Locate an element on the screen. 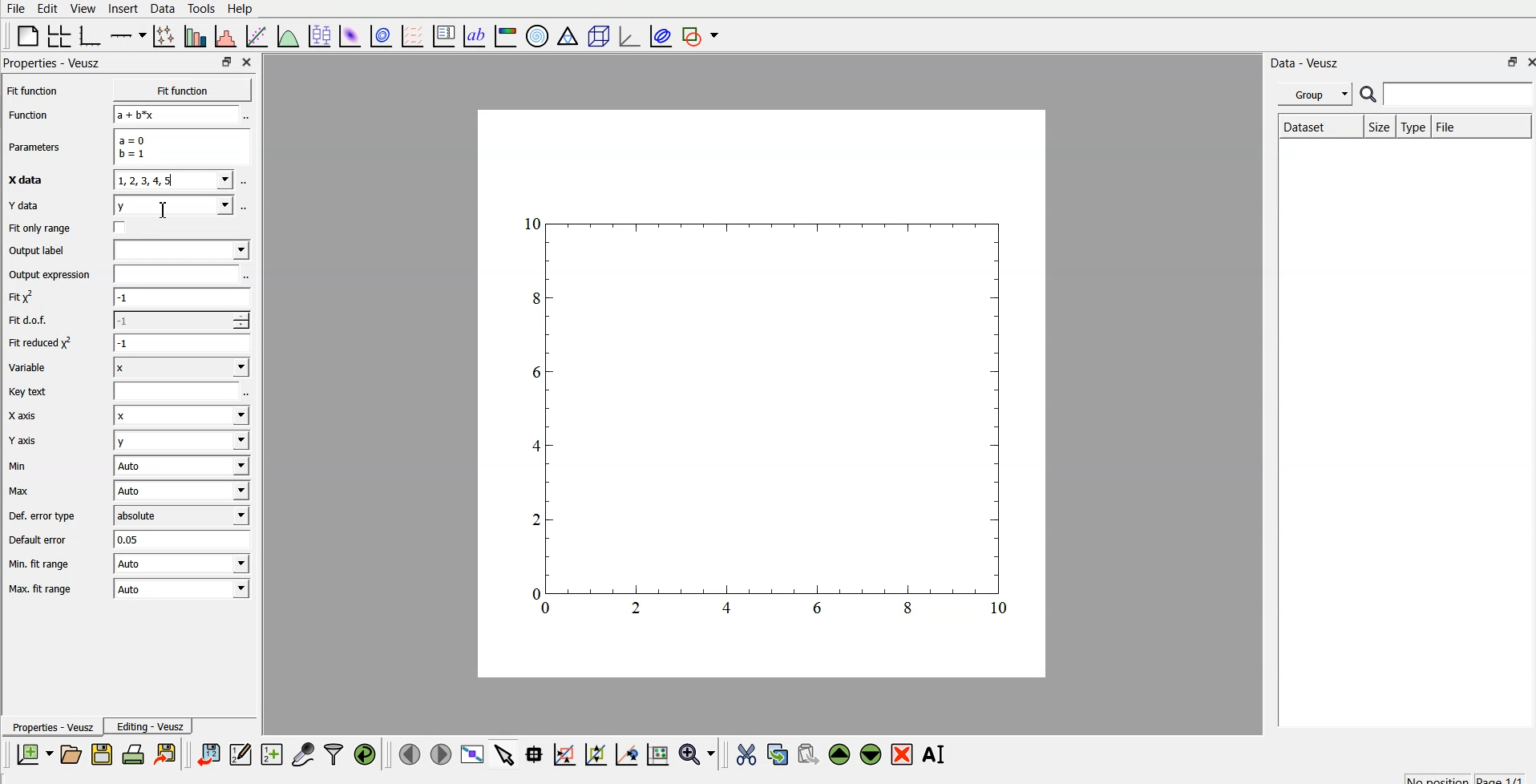  save is located at coordinates (102, 756).